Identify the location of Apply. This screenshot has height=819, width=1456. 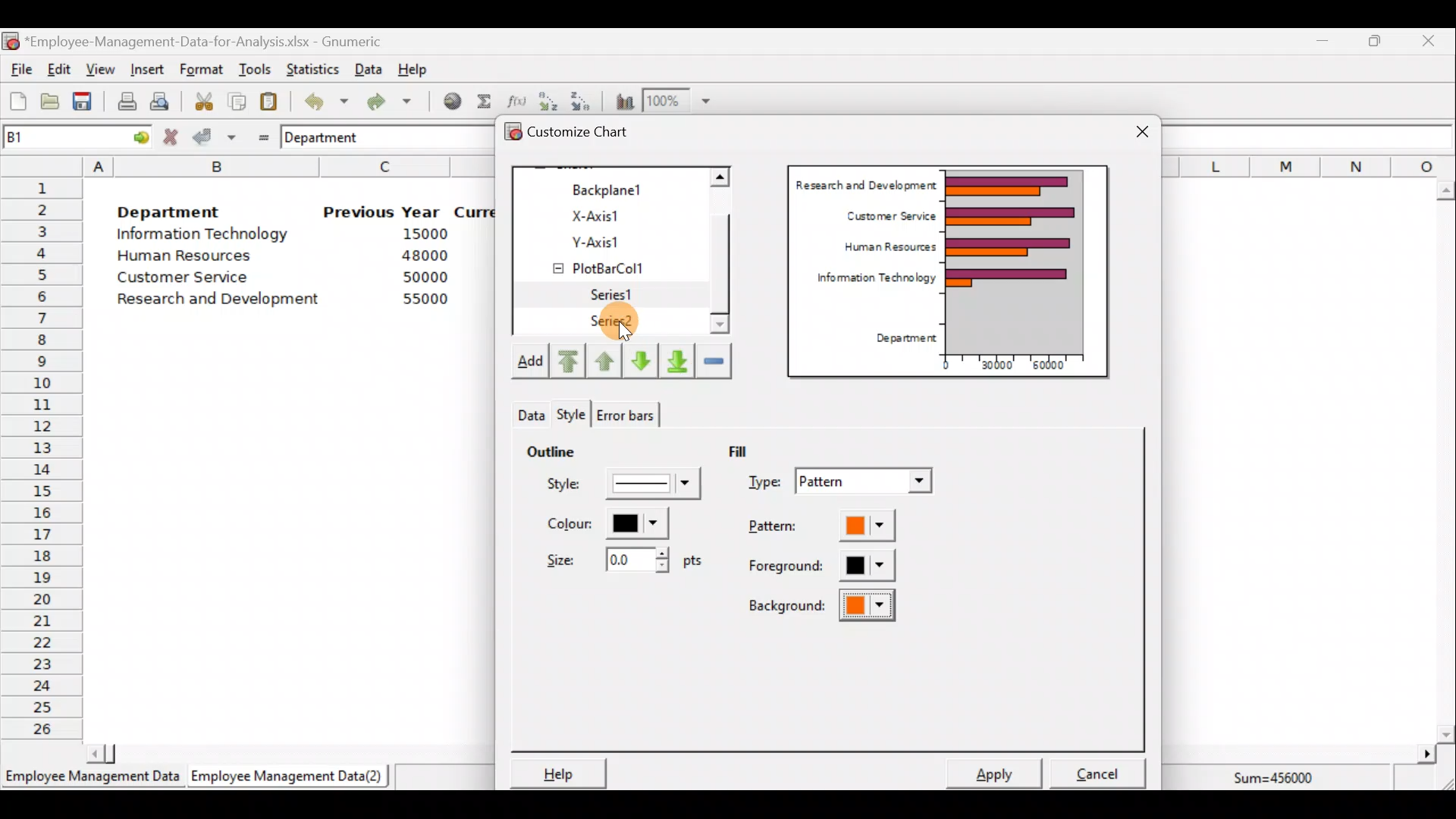
(1001, 772).